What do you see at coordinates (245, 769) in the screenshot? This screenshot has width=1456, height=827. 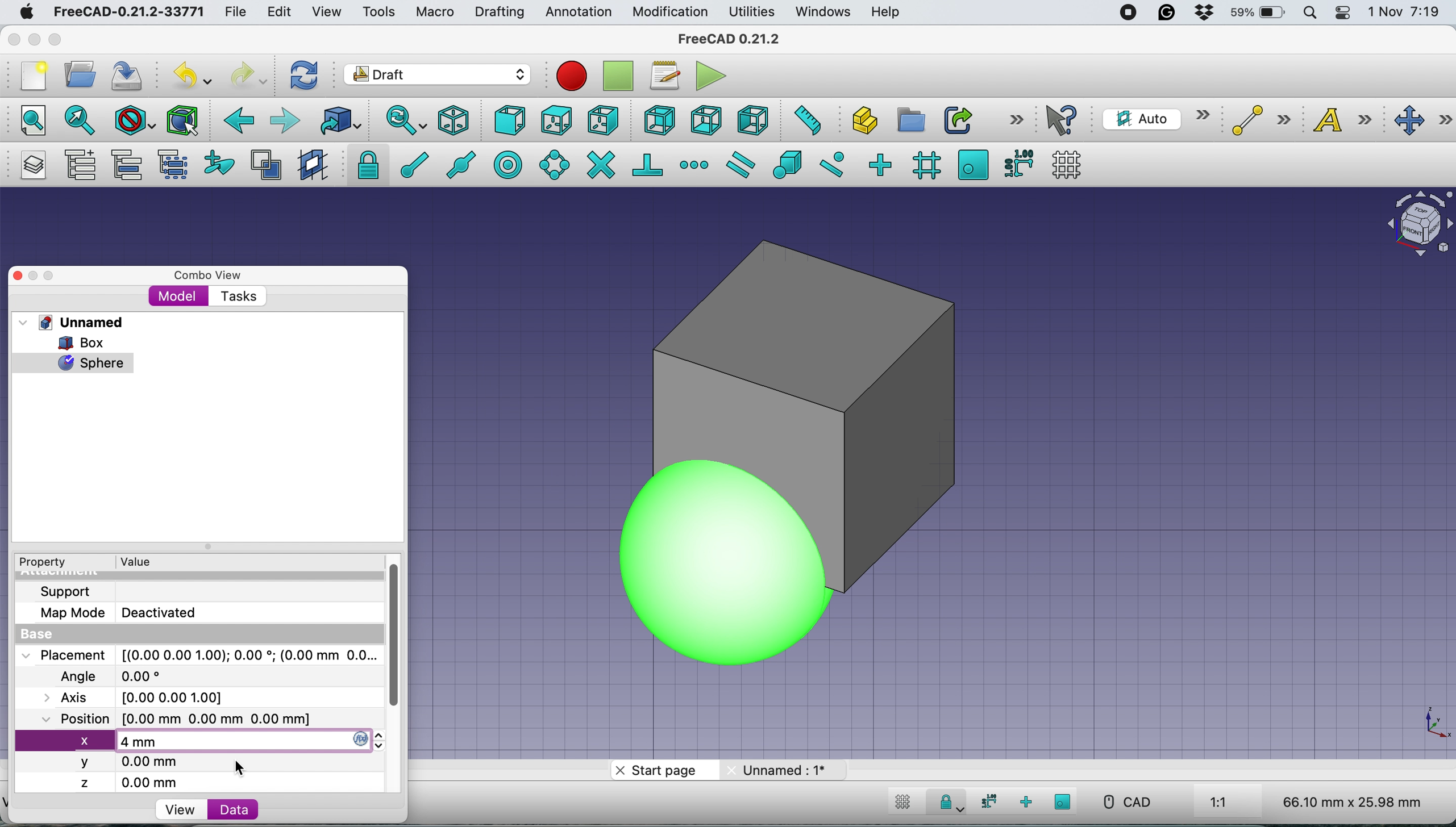 I see `cursor` at bounding box center [245, 769].